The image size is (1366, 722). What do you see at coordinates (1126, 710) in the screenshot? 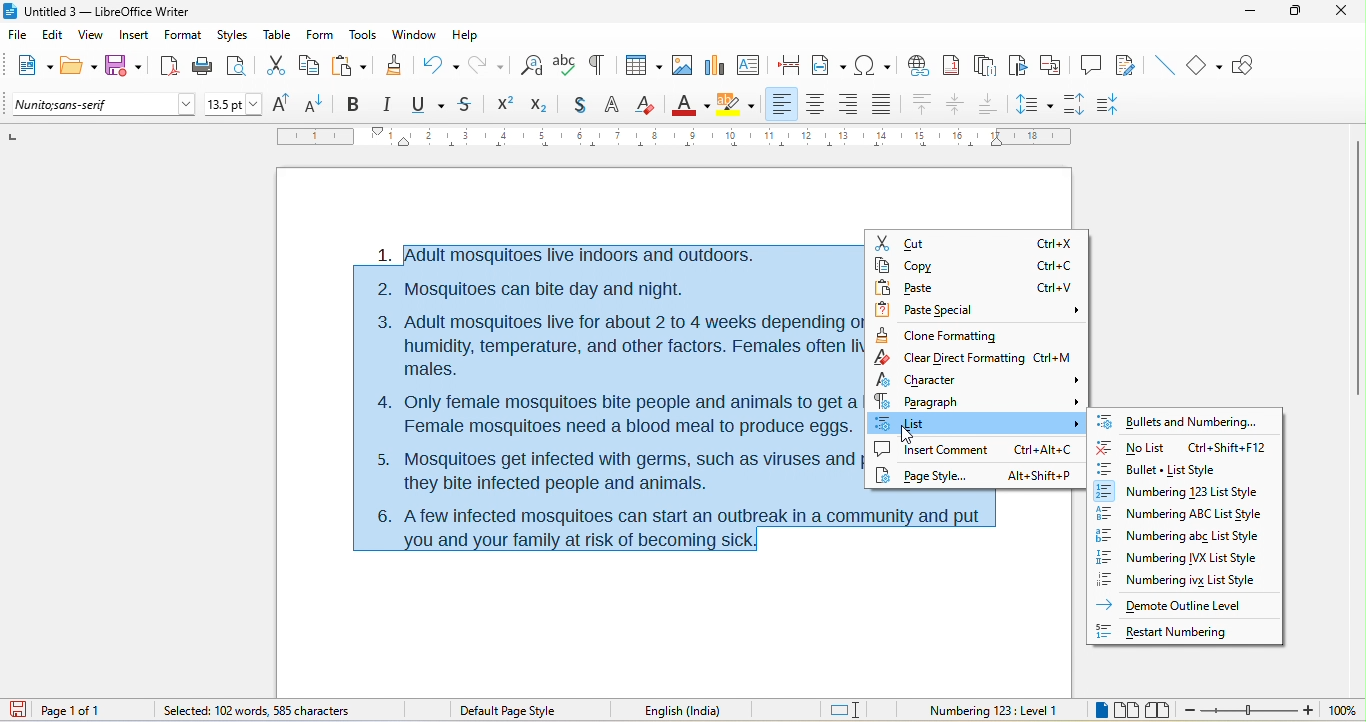
I see `multiple page view` at bounding box center [1126, 710].